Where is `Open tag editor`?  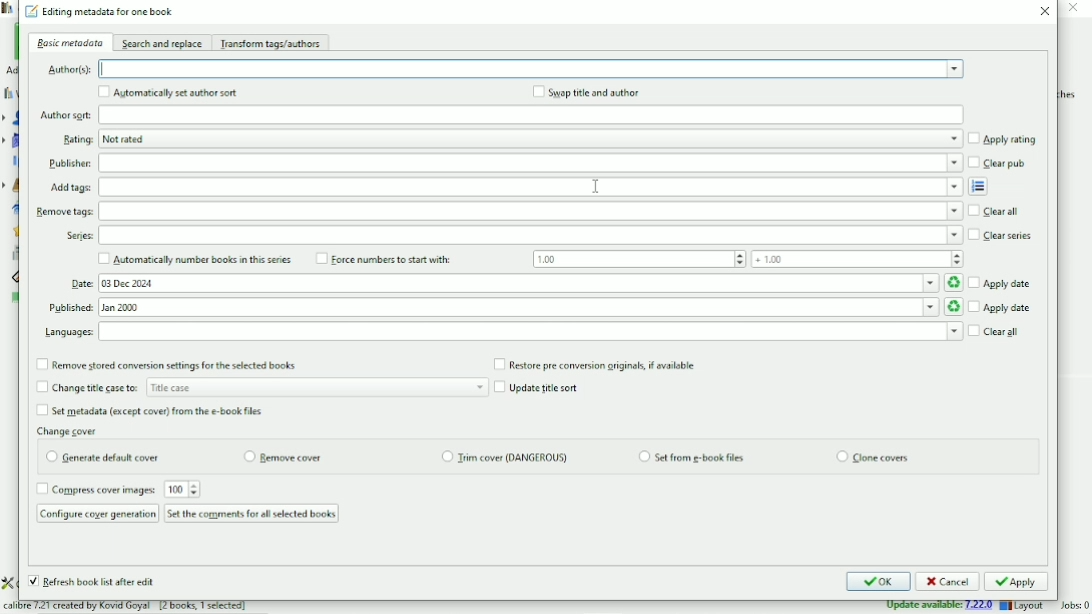
Open tag editor is located at coordinates (980, 186).